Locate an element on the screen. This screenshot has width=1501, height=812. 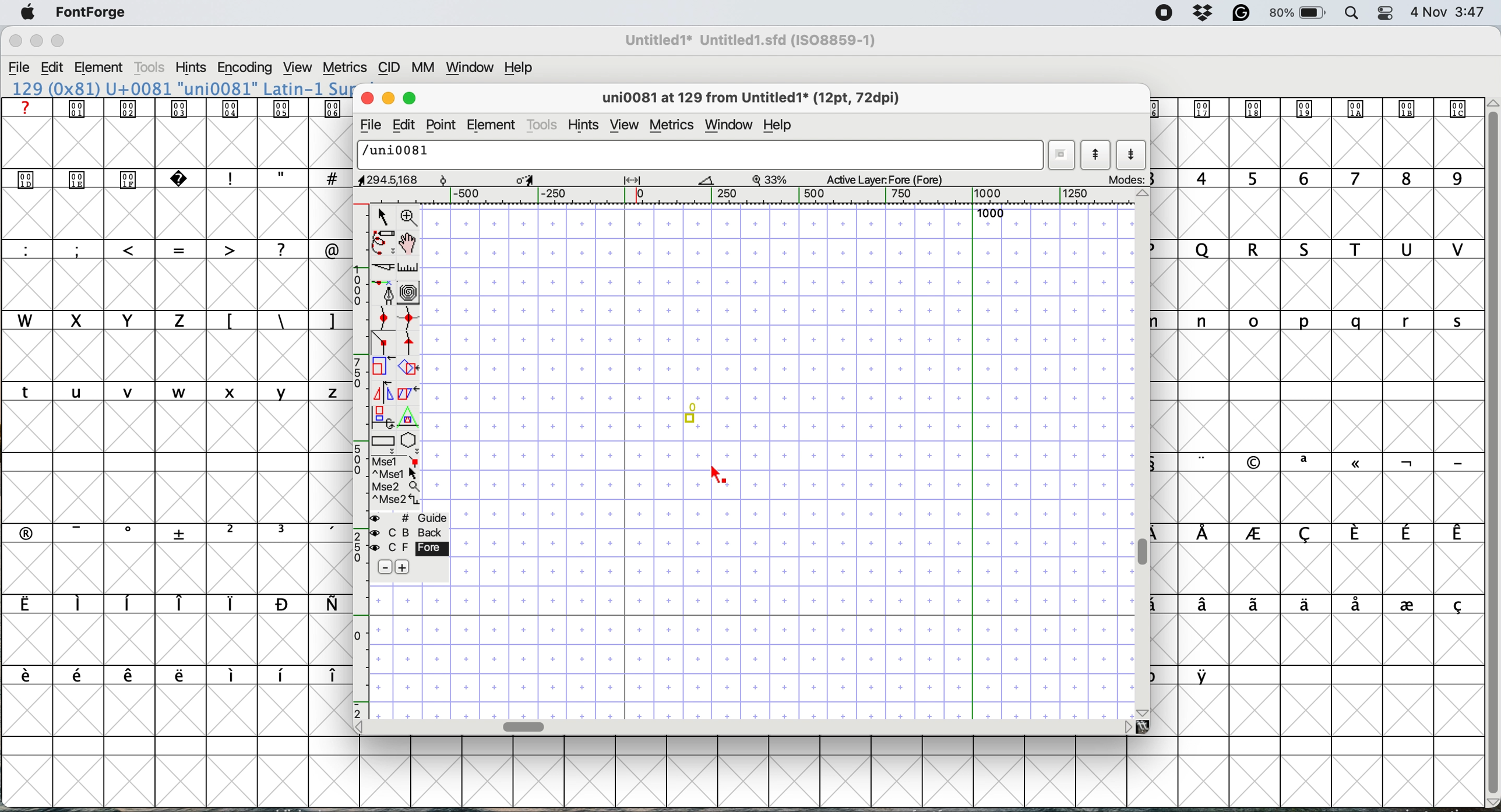
Minimize is located at coordinates (38, 41).